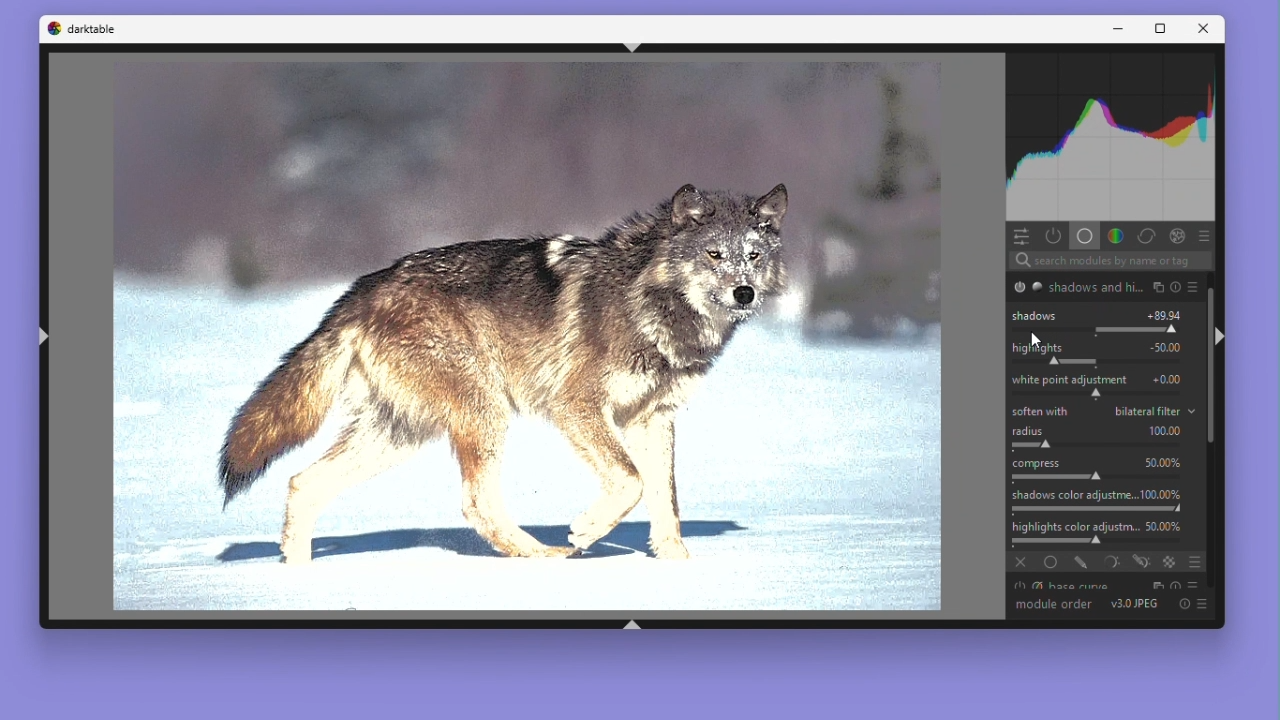 The width and height of the screenshot is (1280, 720). Describe the element at coordinates (1161, 462) in the screenshot. I see `50.00%` at that location.